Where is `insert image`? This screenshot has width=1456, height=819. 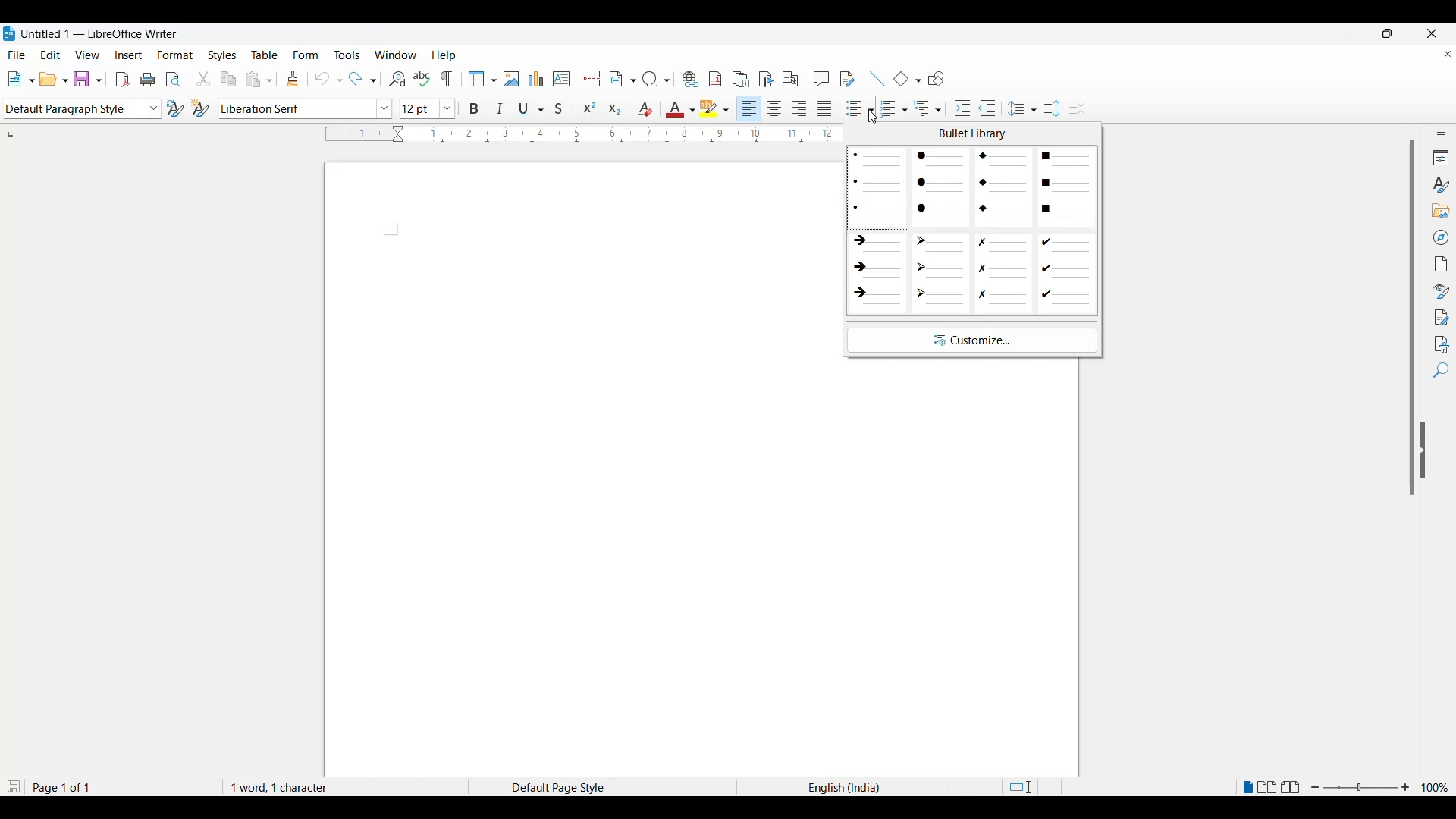
insert image is located at coordinates (512, 80).